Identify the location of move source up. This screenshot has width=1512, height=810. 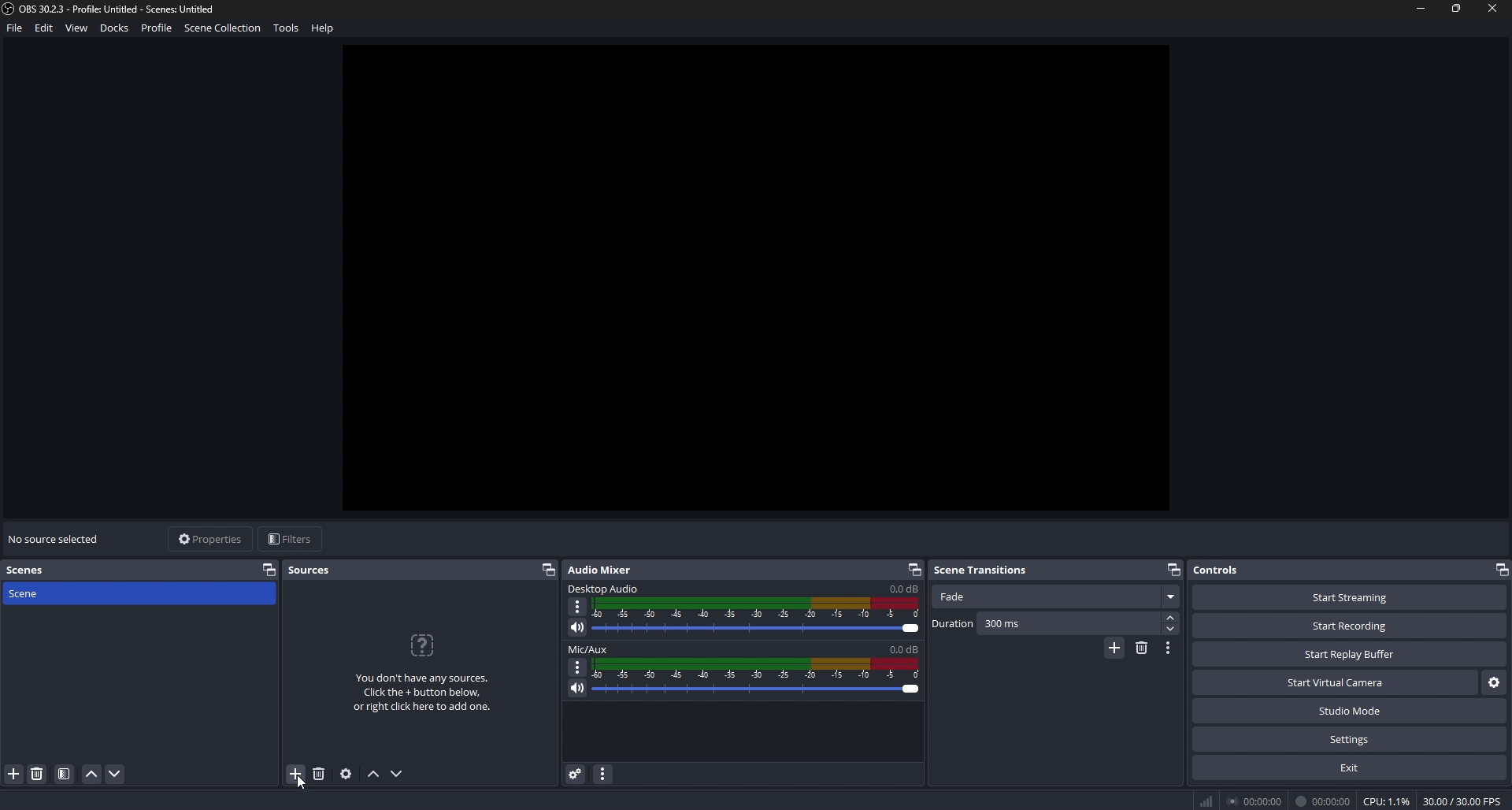
(374, 775).